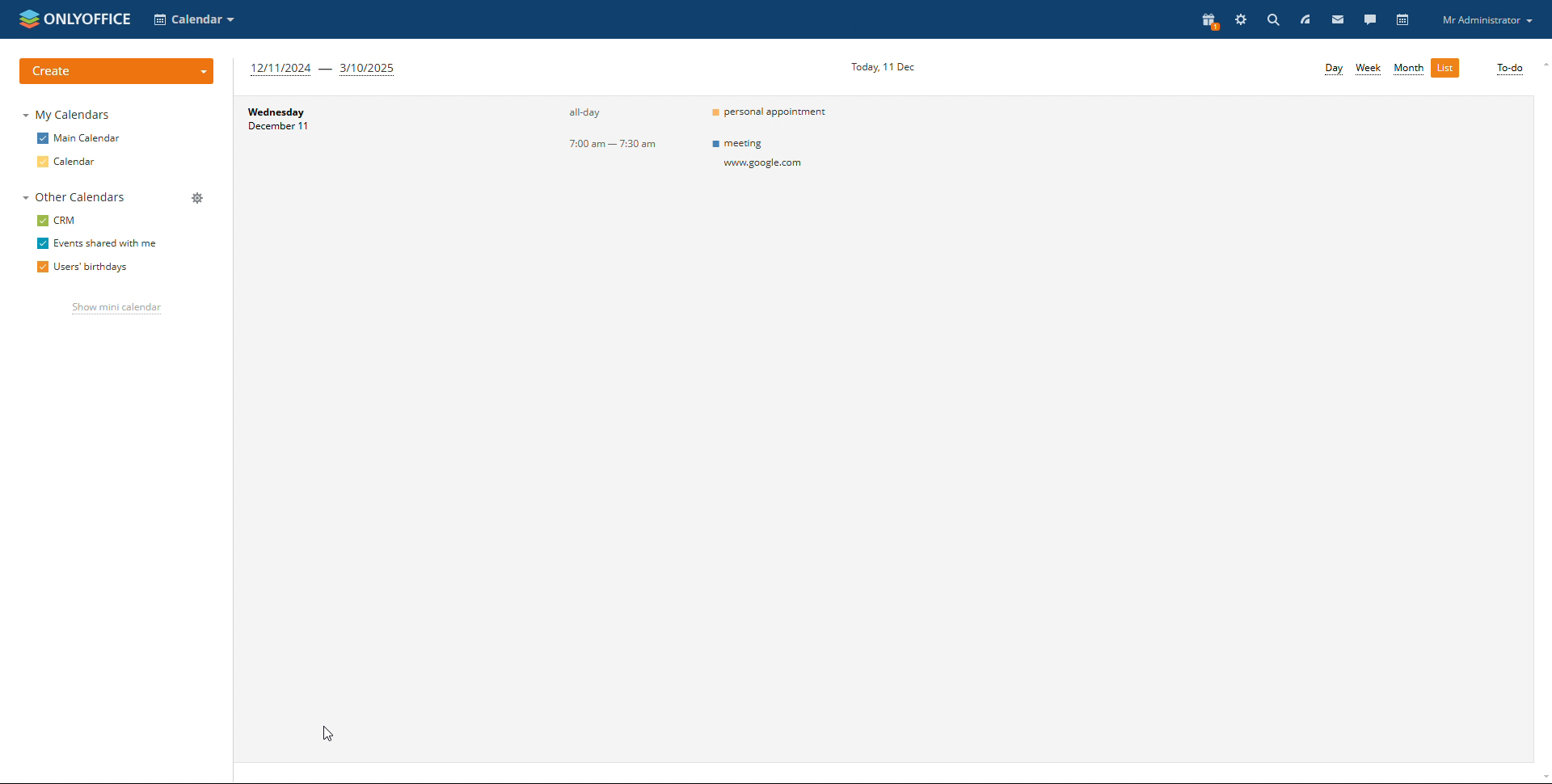  I want to click on profile, so click(1484, 19).